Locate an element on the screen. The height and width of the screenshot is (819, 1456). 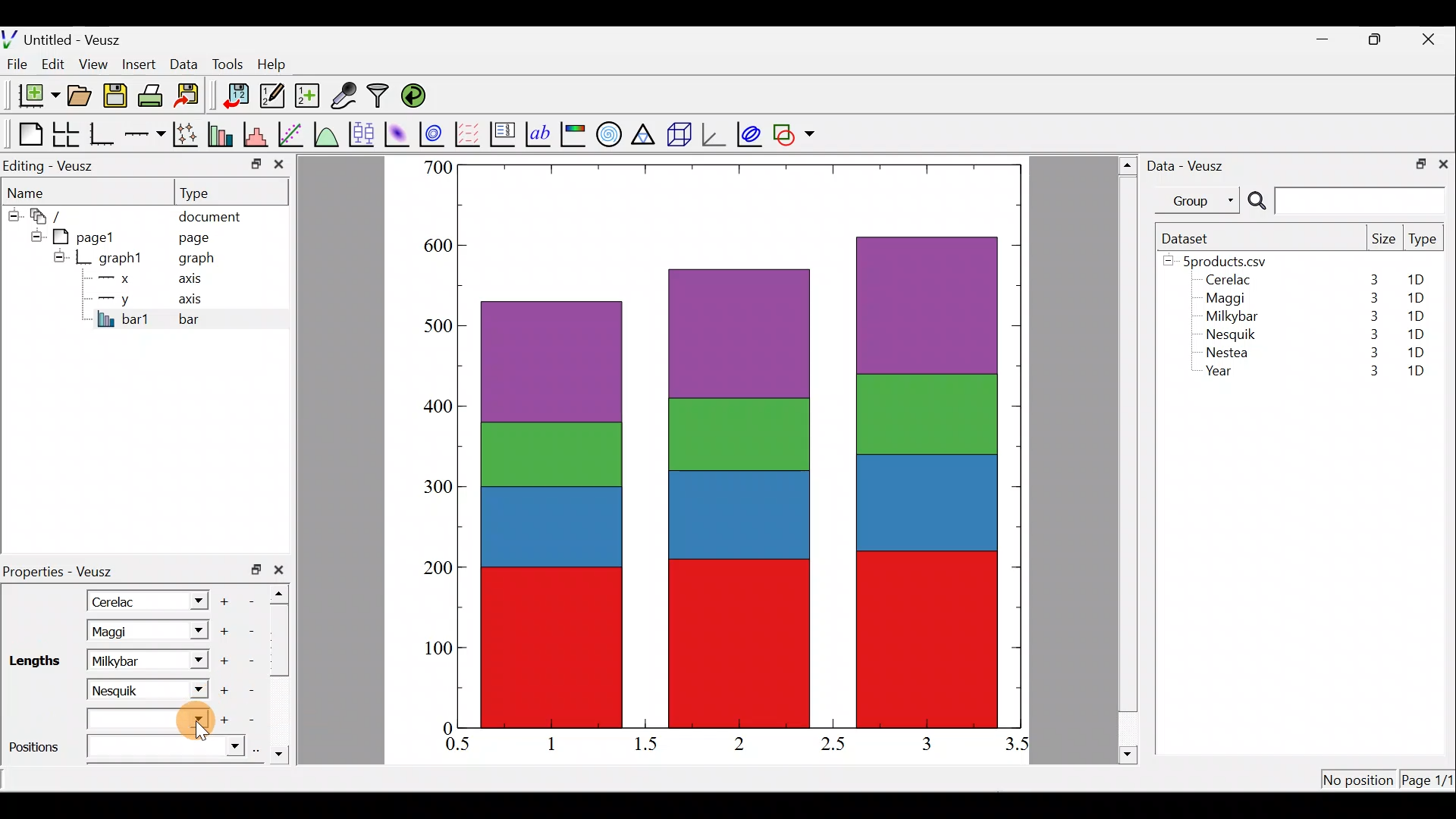
Type is located at coordinates (209, 192).